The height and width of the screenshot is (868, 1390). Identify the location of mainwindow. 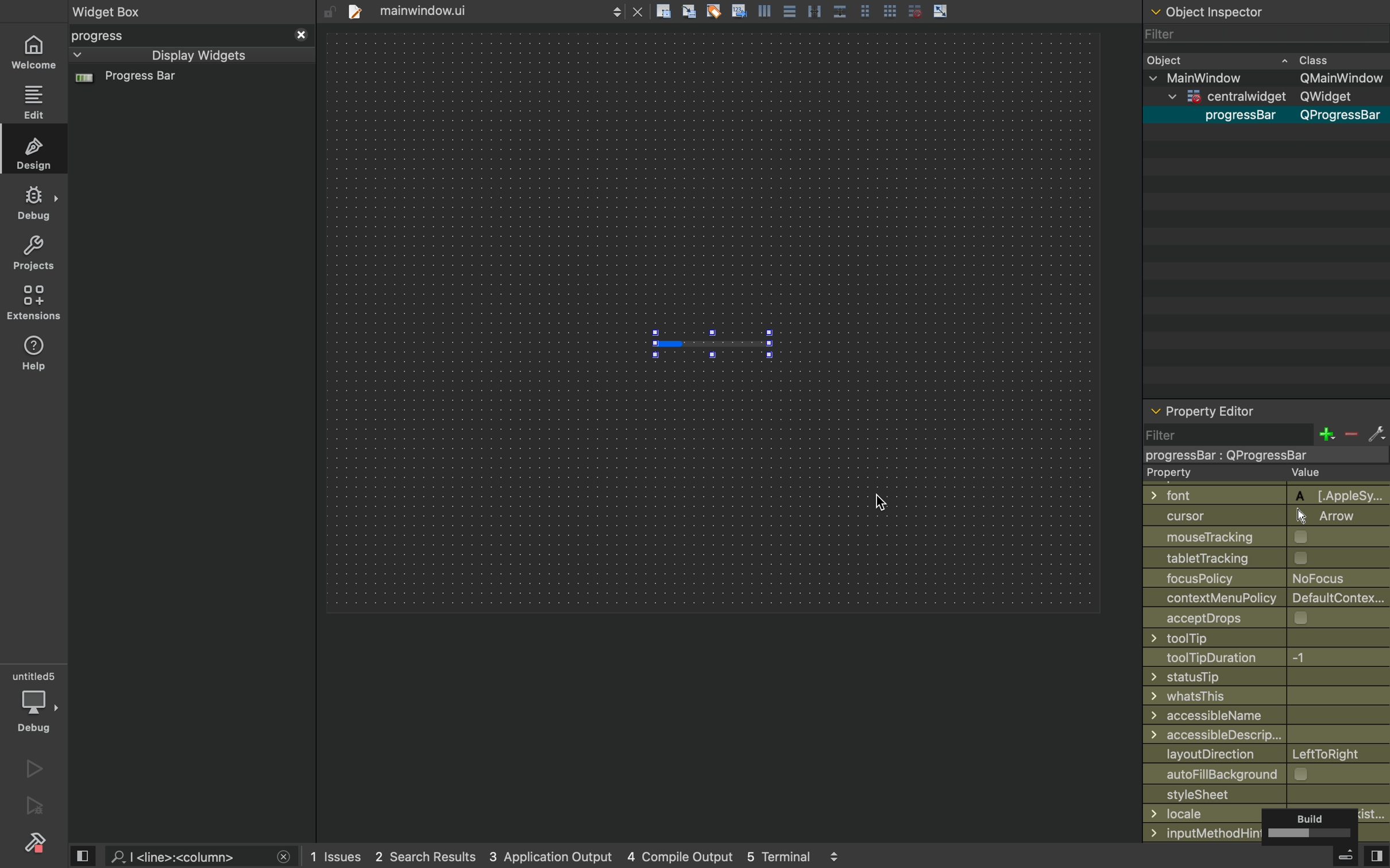
(1269, 79).